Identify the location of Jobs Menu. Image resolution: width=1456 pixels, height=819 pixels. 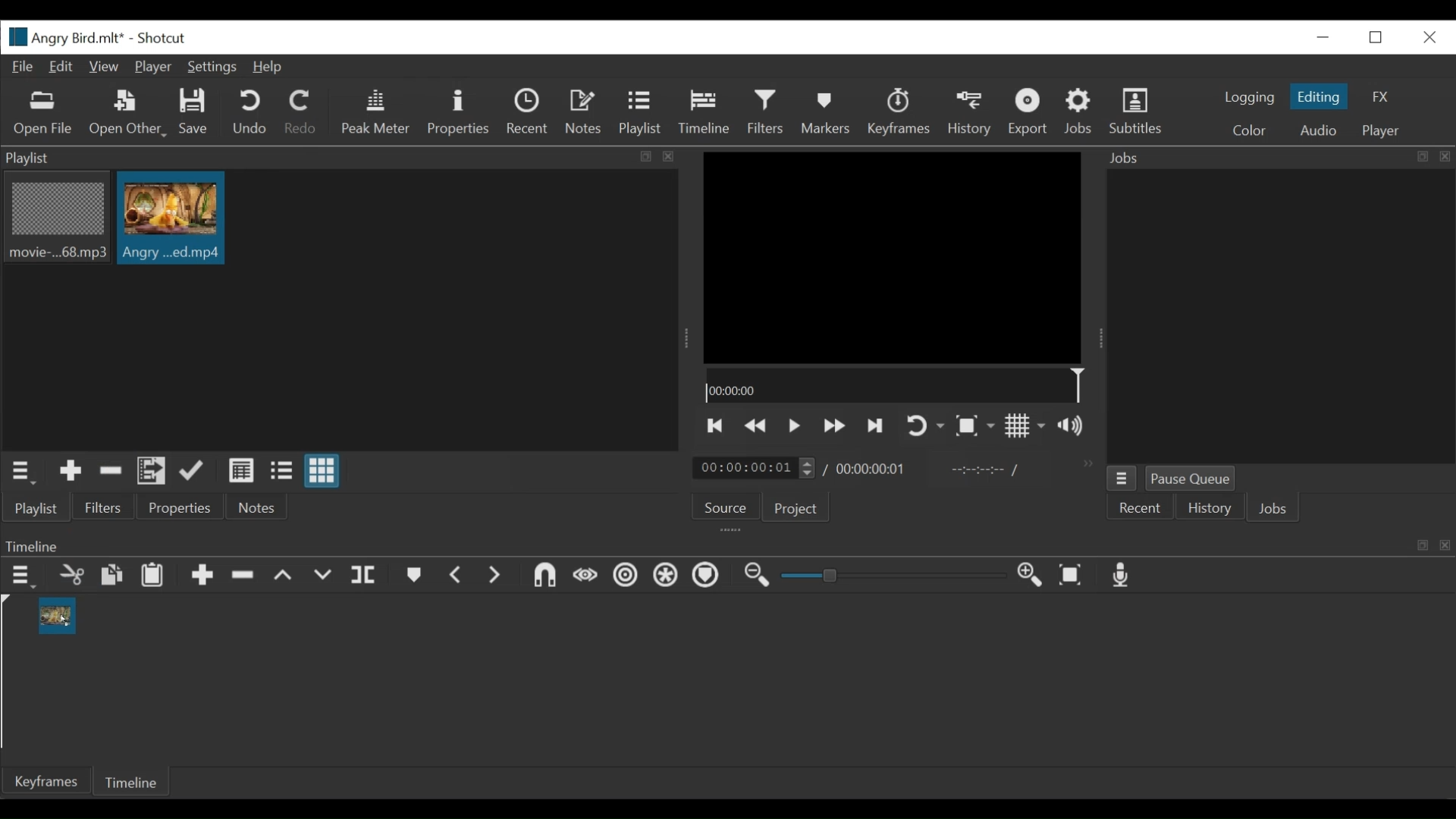
(1121, 479).